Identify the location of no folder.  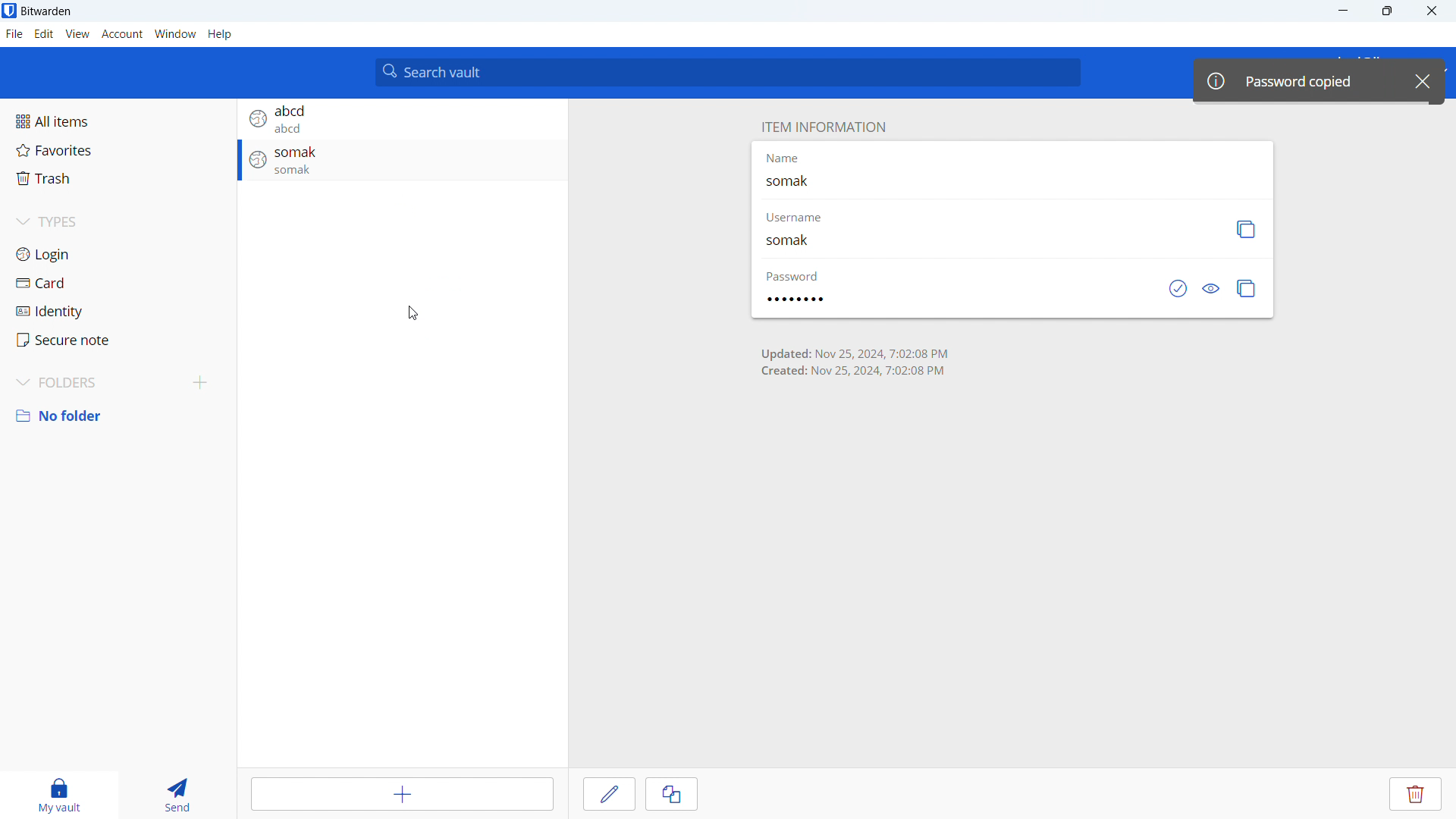
(118, 416).